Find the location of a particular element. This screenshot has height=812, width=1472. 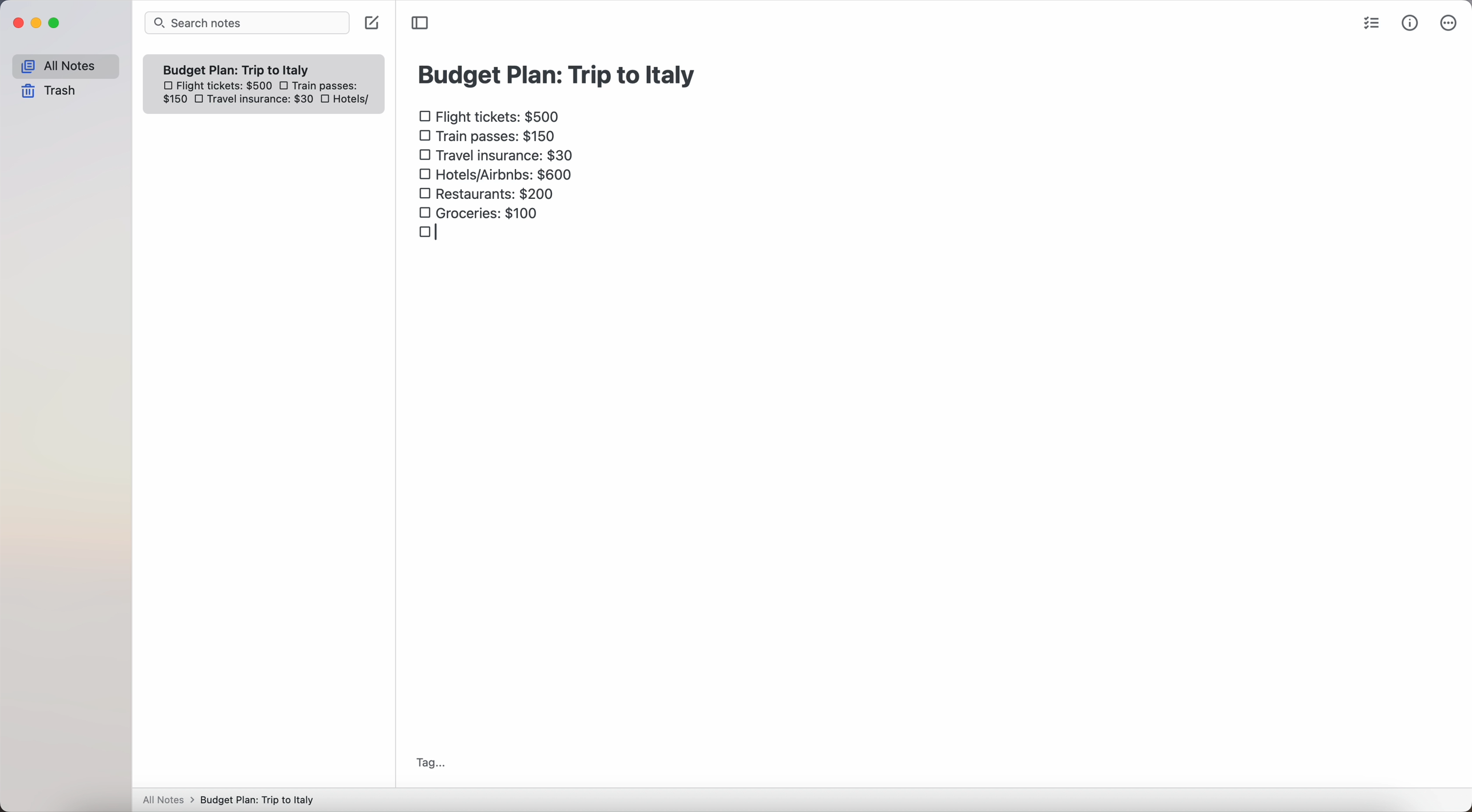

create note is located at coordinates (371, 24).